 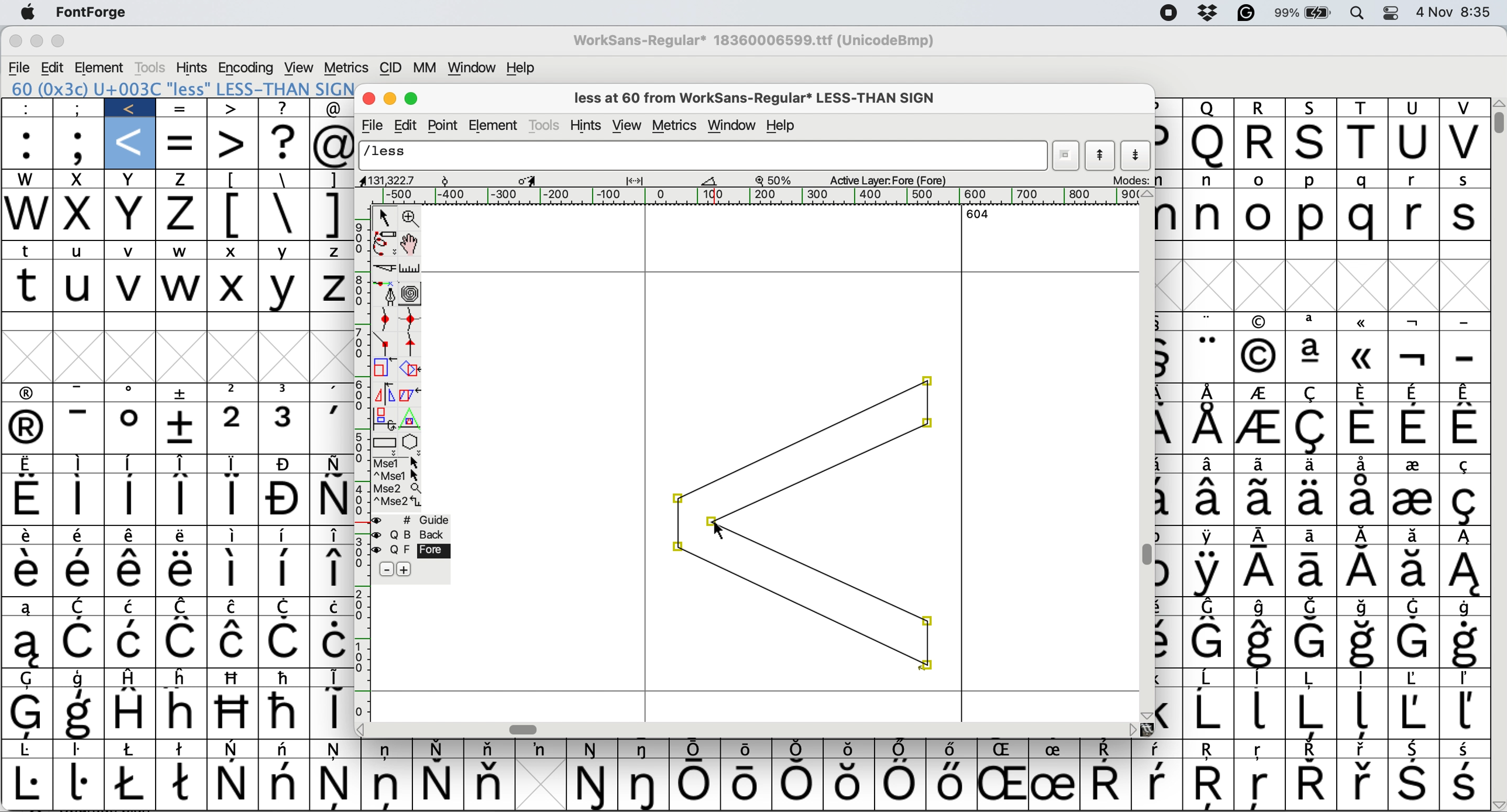 What do you see at coordinates (284, 178) in the screenshot?
I see `\` at bounding box center [284, 178].